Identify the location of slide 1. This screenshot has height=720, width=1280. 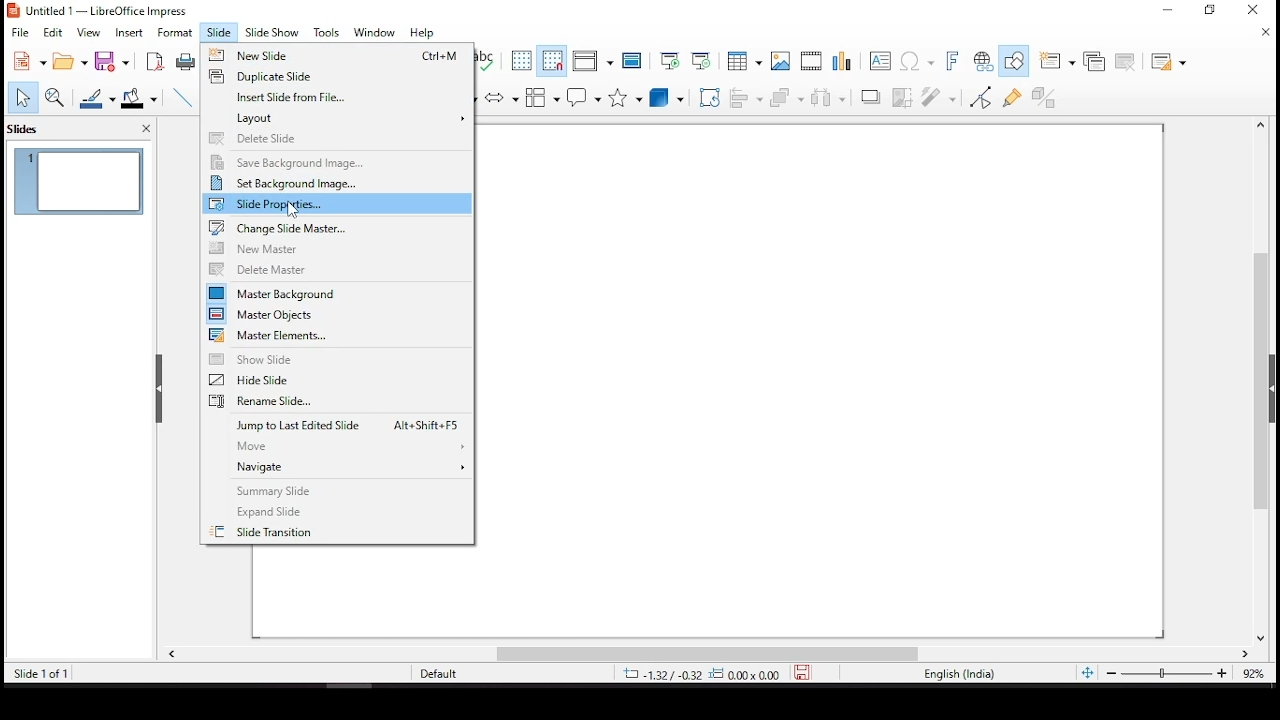
(79, 181).